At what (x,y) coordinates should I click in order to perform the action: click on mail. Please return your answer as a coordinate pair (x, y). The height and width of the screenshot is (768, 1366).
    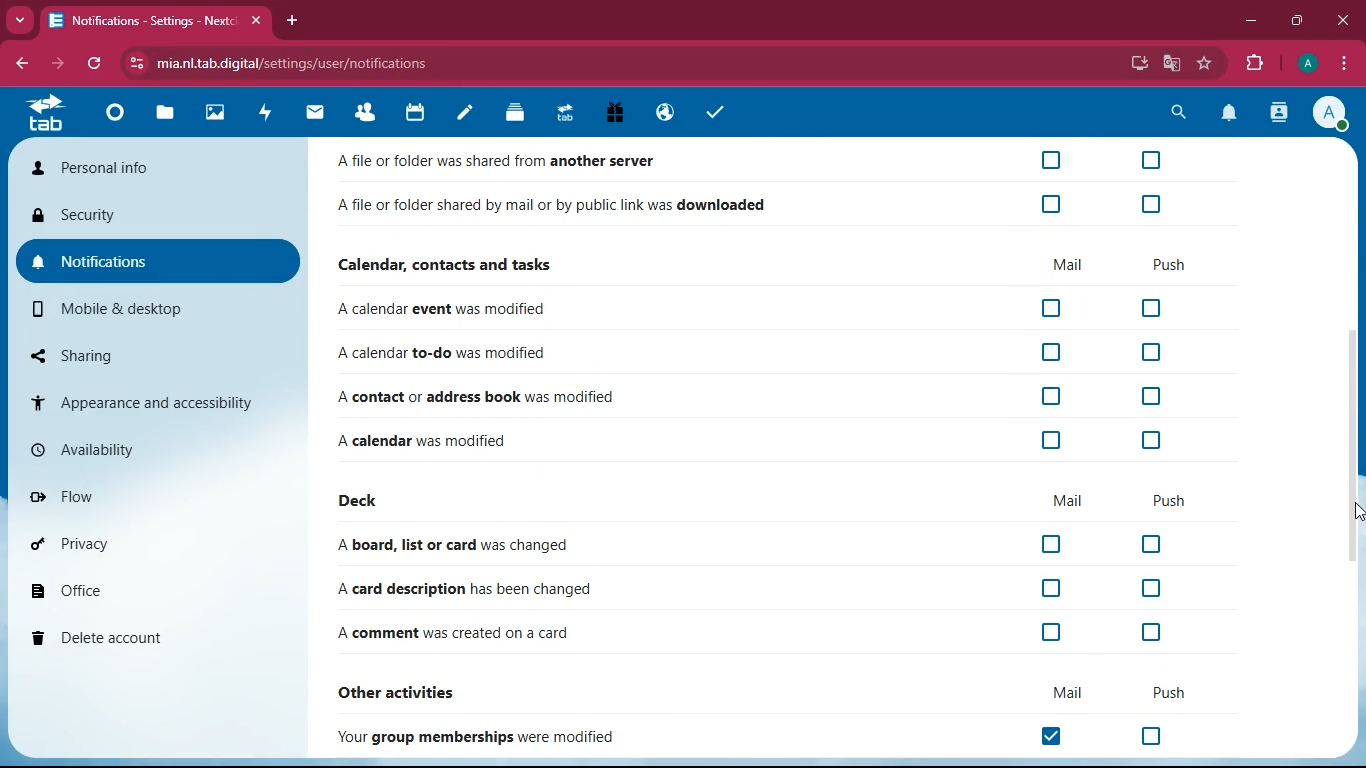
    Looking at the image, I should click on (315, 112).